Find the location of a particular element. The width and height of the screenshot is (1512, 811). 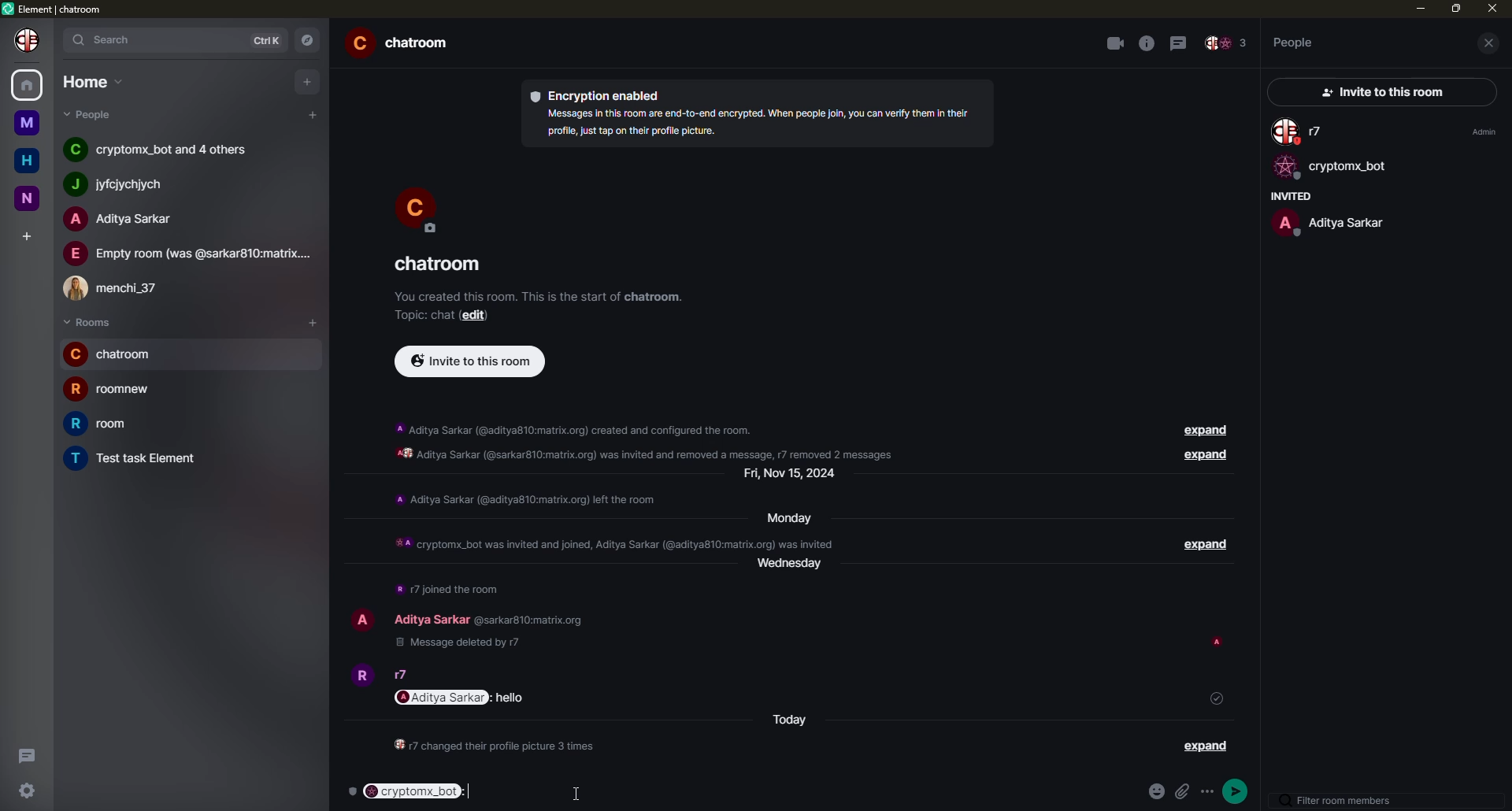

options is located at coordinates (1210, 789).